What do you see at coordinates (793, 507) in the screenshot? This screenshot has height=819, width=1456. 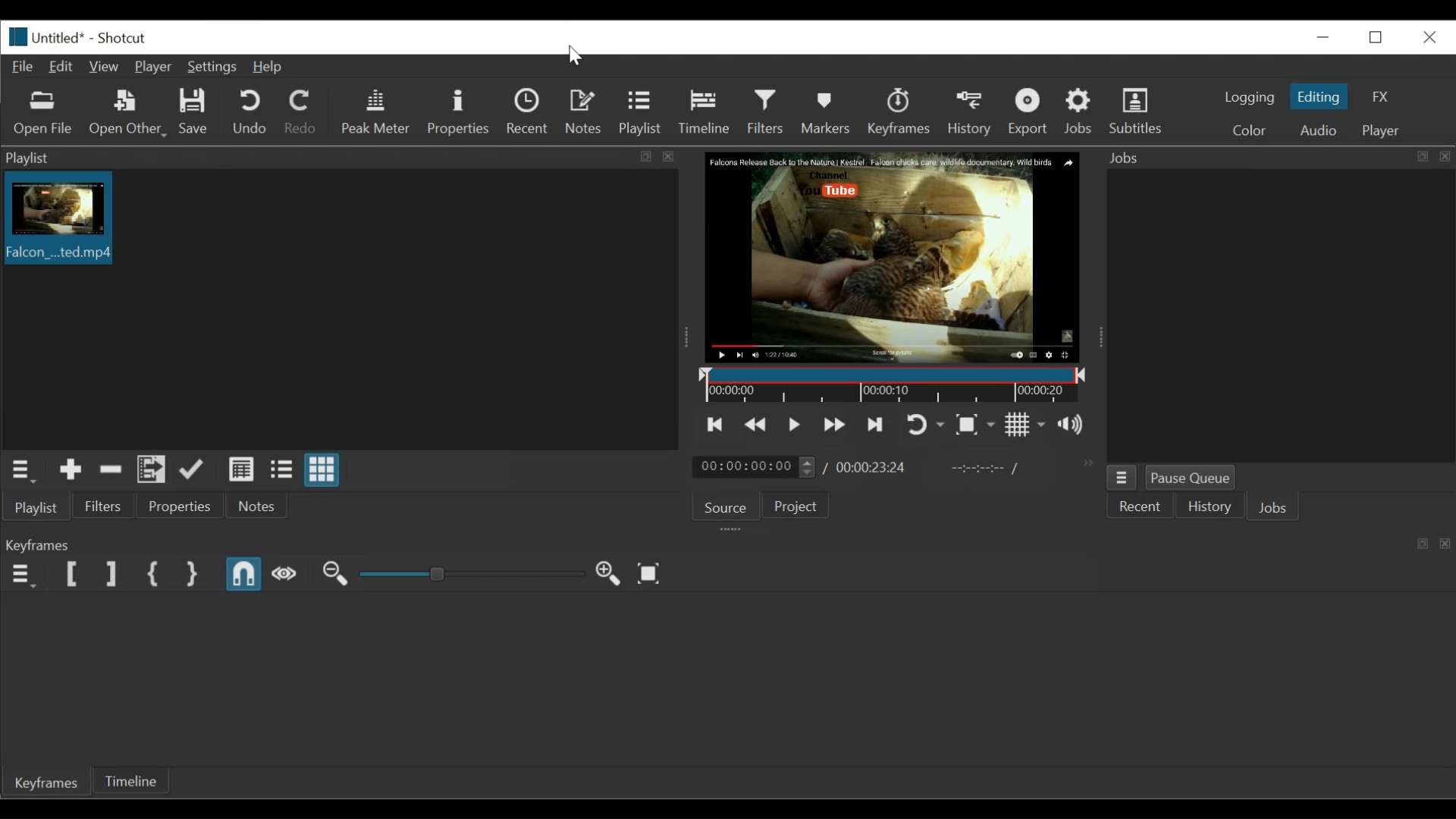 I see `Project` at bounding box center [793, 507].